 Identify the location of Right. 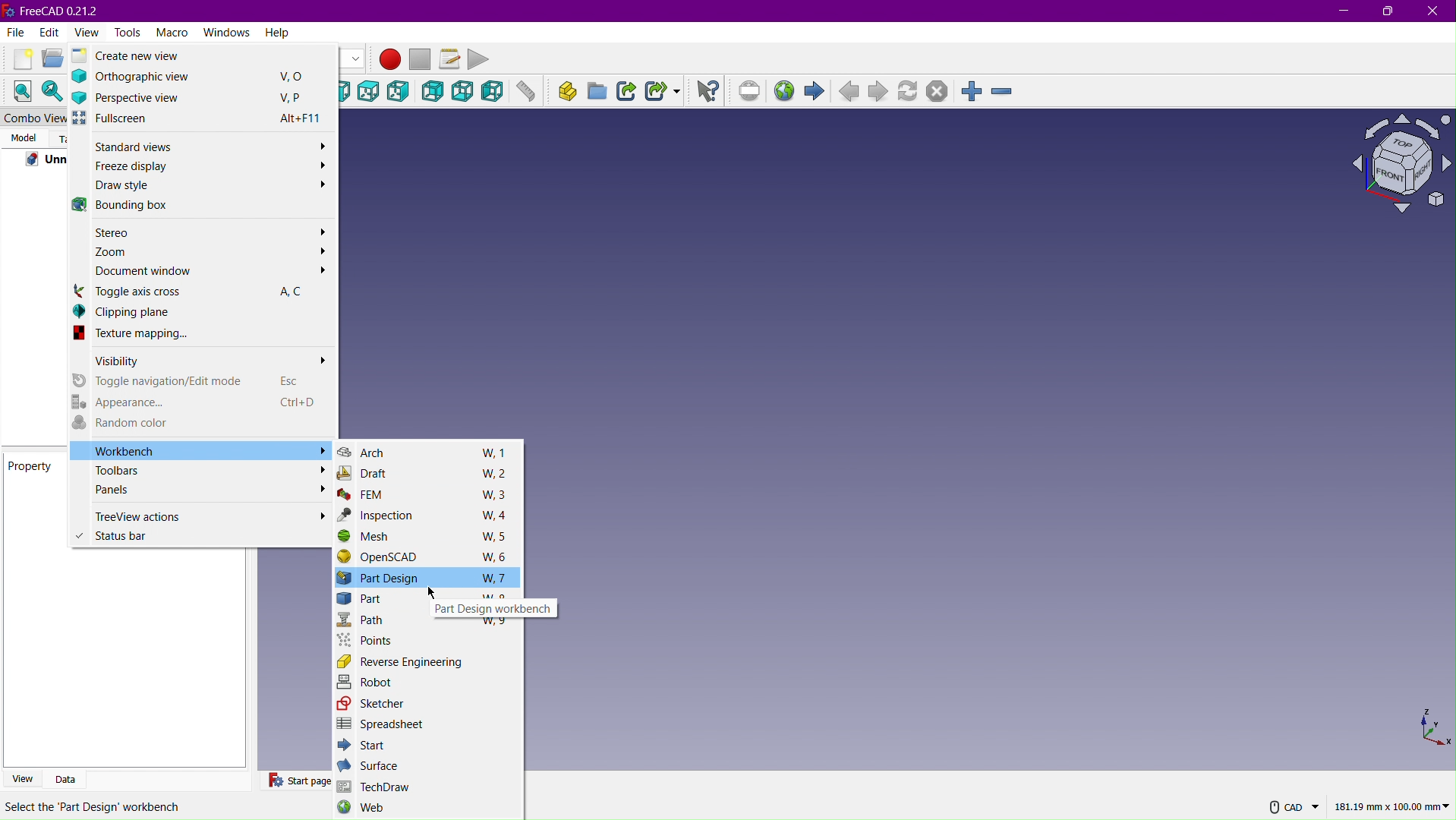
(399, 91).